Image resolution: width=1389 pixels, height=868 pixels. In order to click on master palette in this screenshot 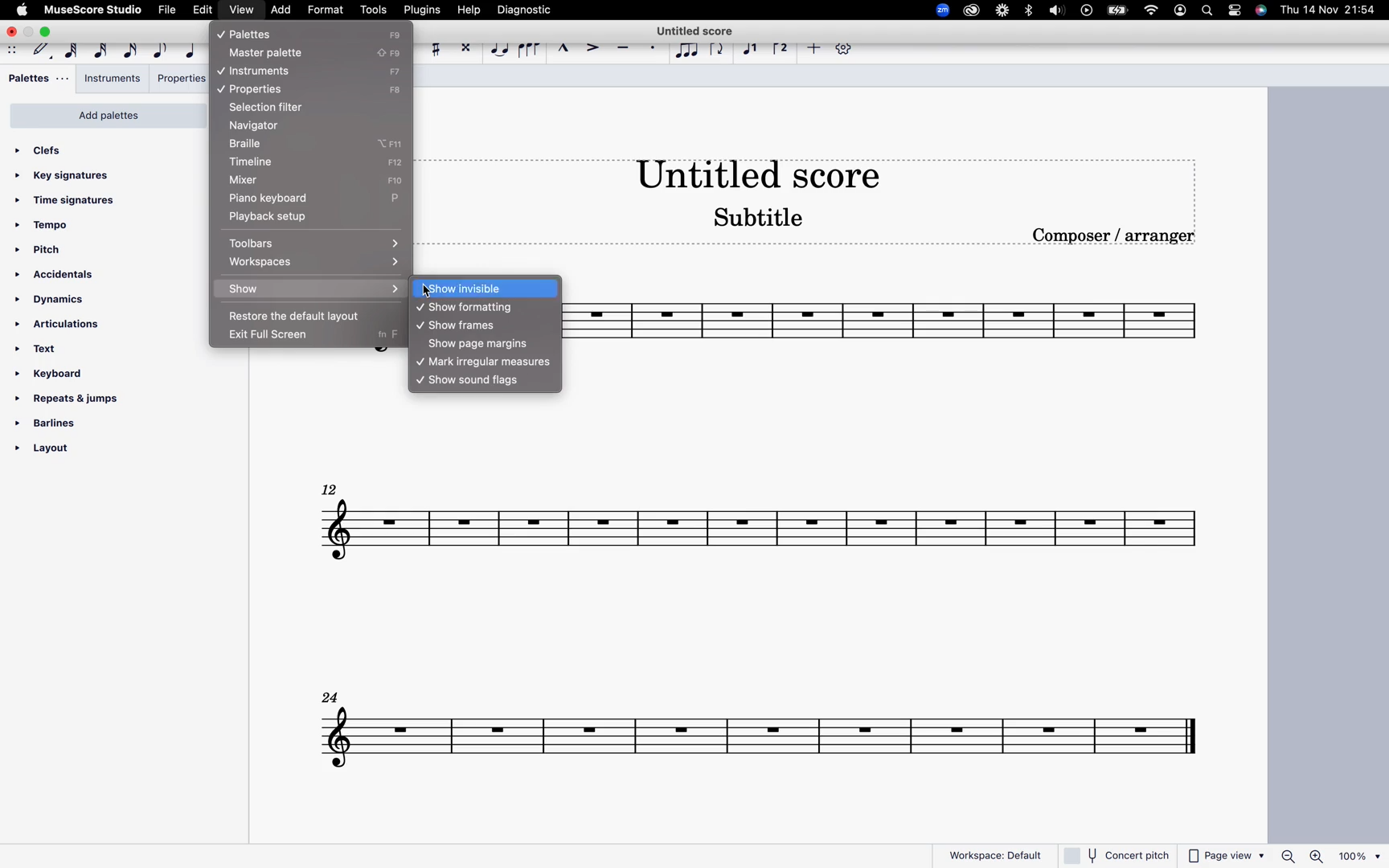, I will do `click(281, 53)`.